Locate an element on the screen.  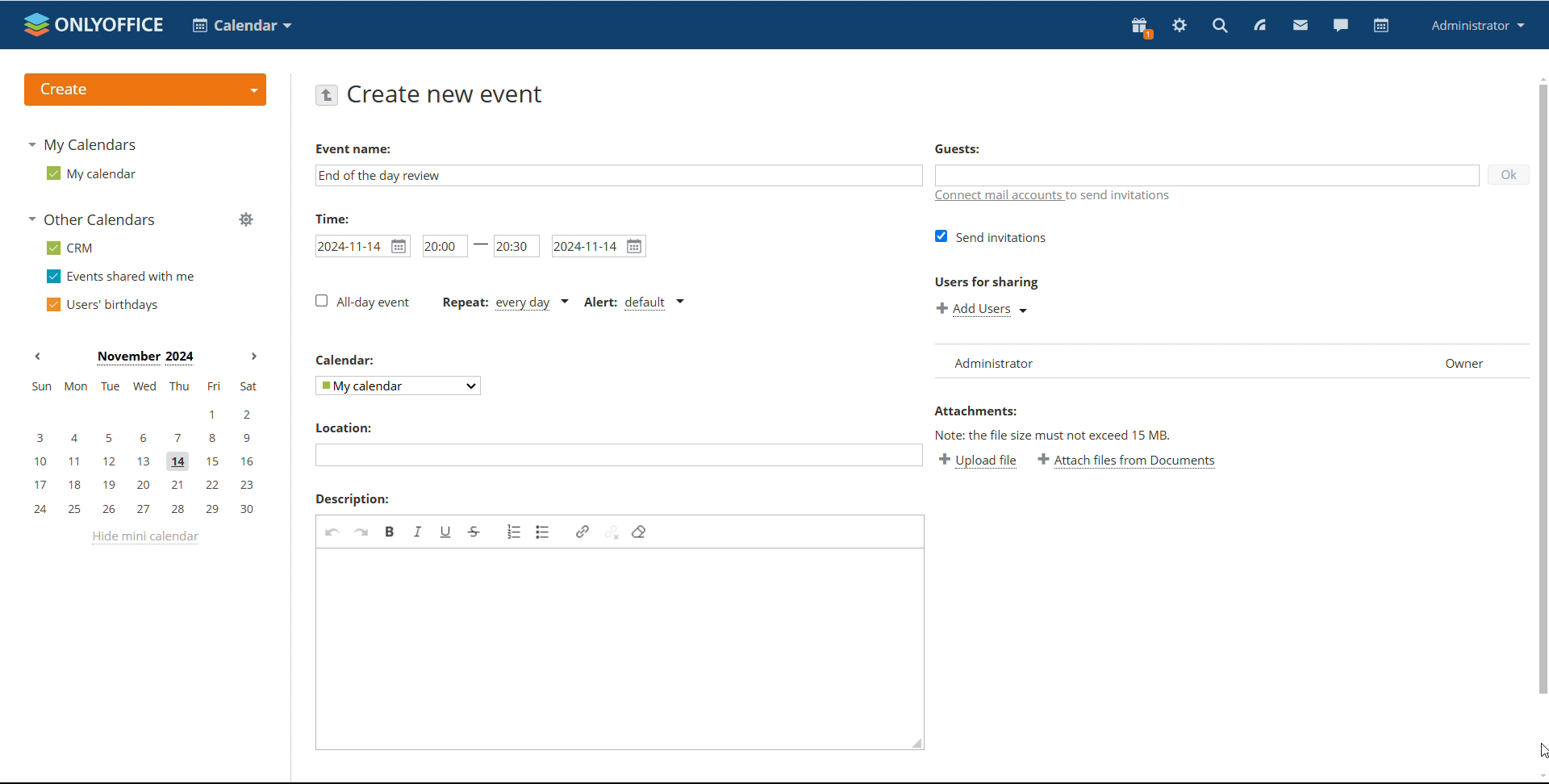
calendar is located at coordinates (1381, 26).